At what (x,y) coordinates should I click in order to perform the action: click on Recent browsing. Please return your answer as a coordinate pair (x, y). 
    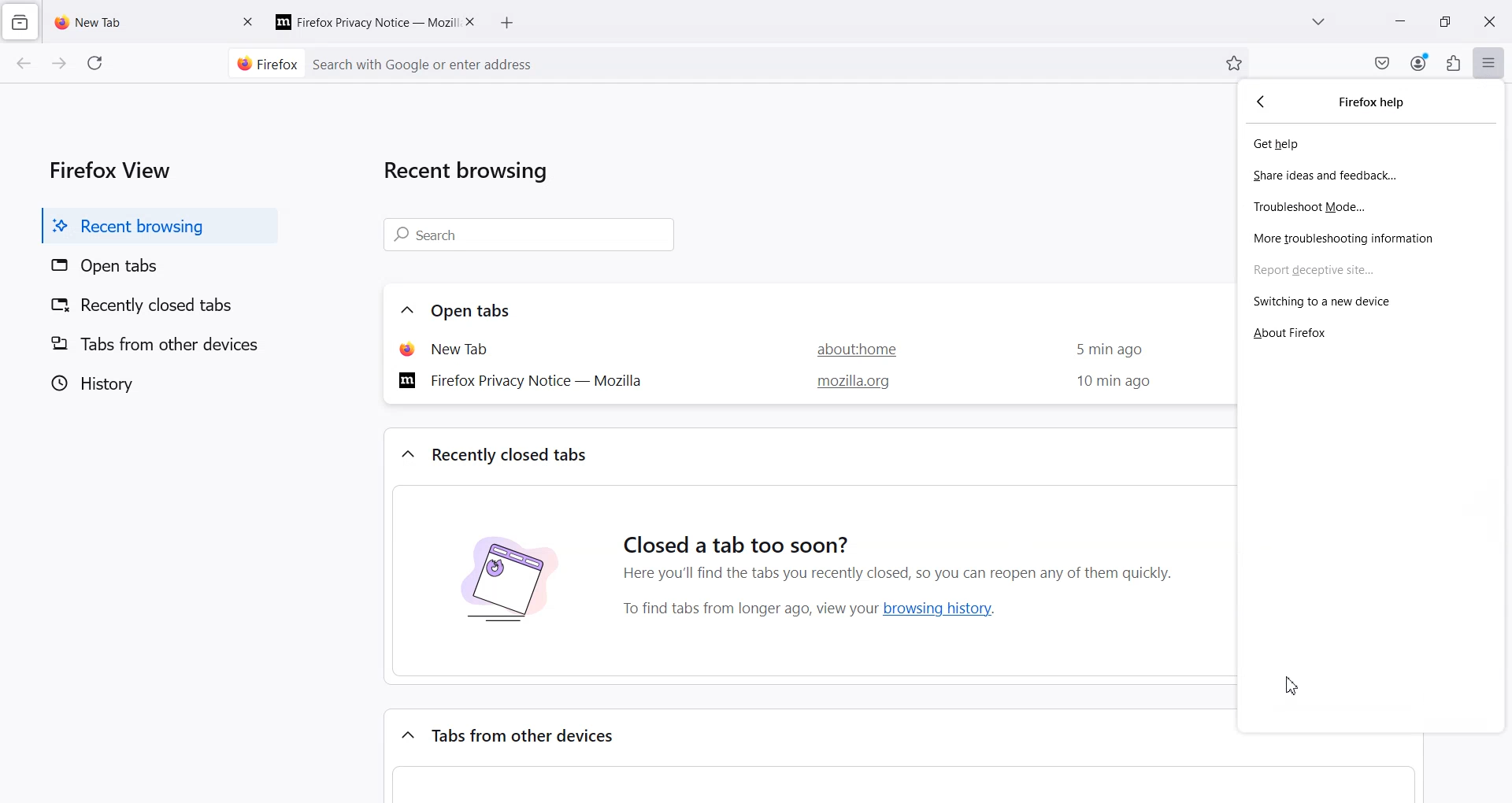
    Looking at the image, I should click on (154, 225).